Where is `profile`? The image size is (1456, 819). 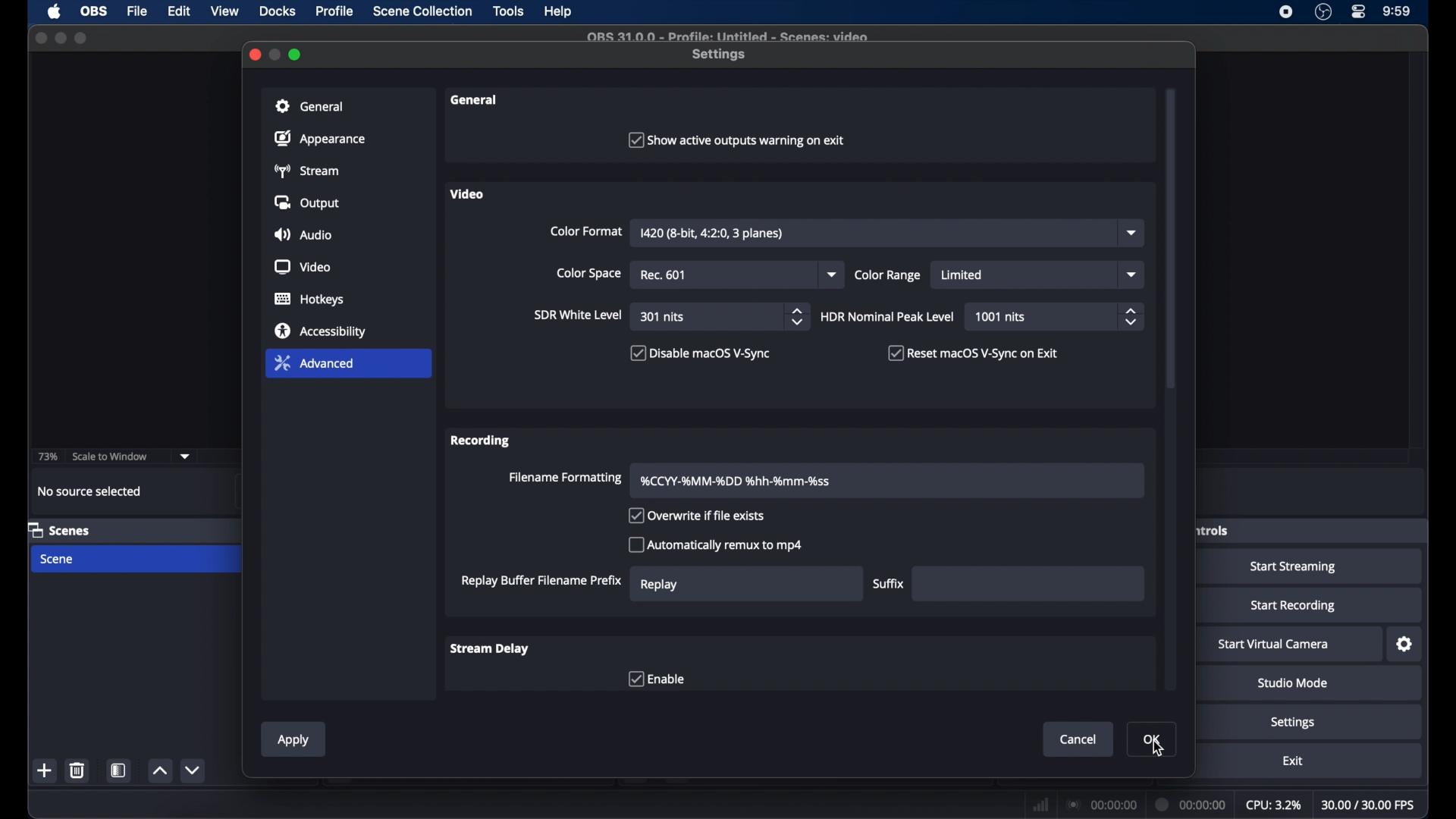 profile is located at coordinates (336, 11).